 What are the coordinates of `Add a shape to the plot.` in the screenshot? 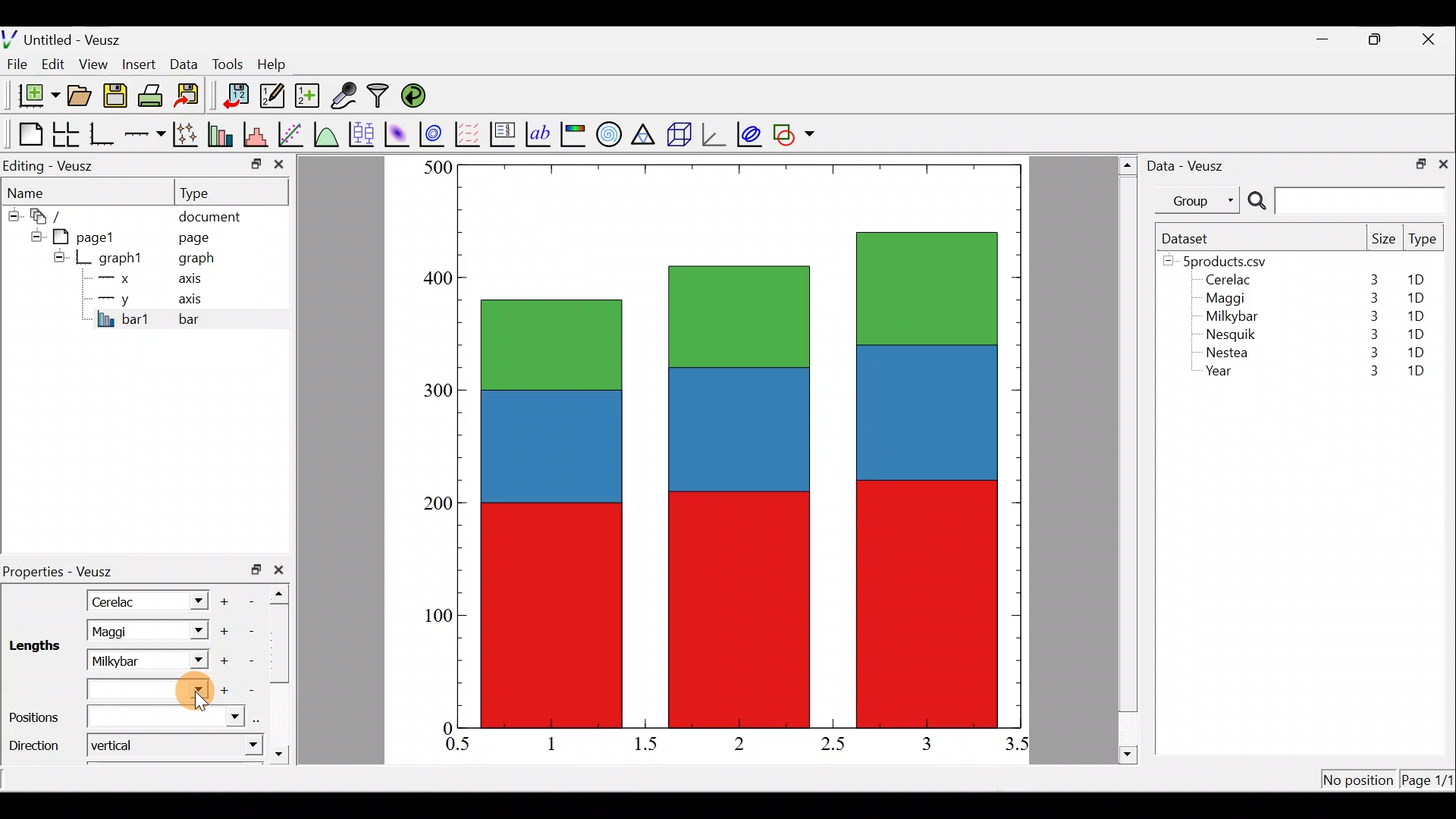 It's located at (795, 132).